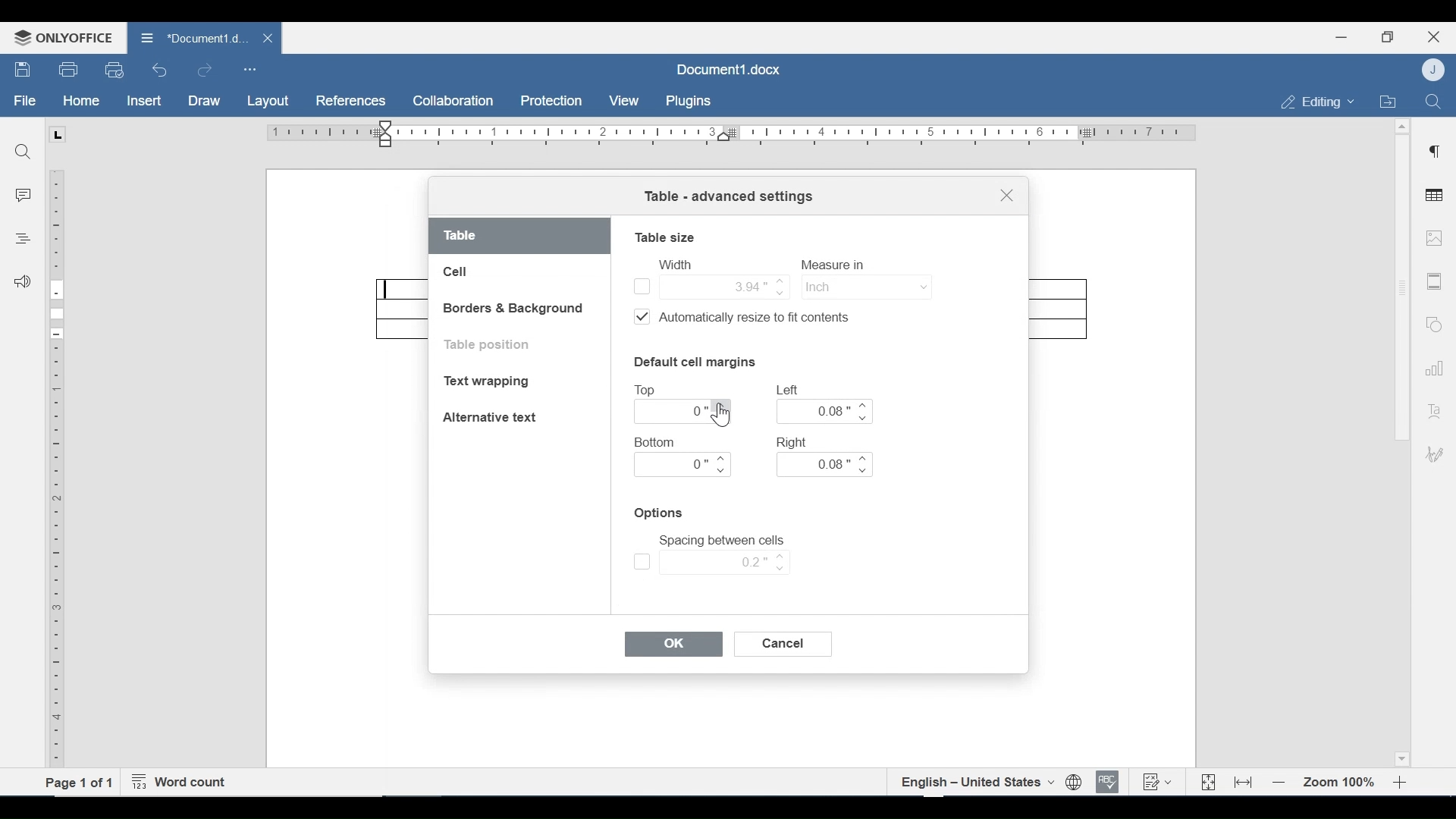 This screenshot has height=819, width=1456. I want to click on OK, so click(674, 645).